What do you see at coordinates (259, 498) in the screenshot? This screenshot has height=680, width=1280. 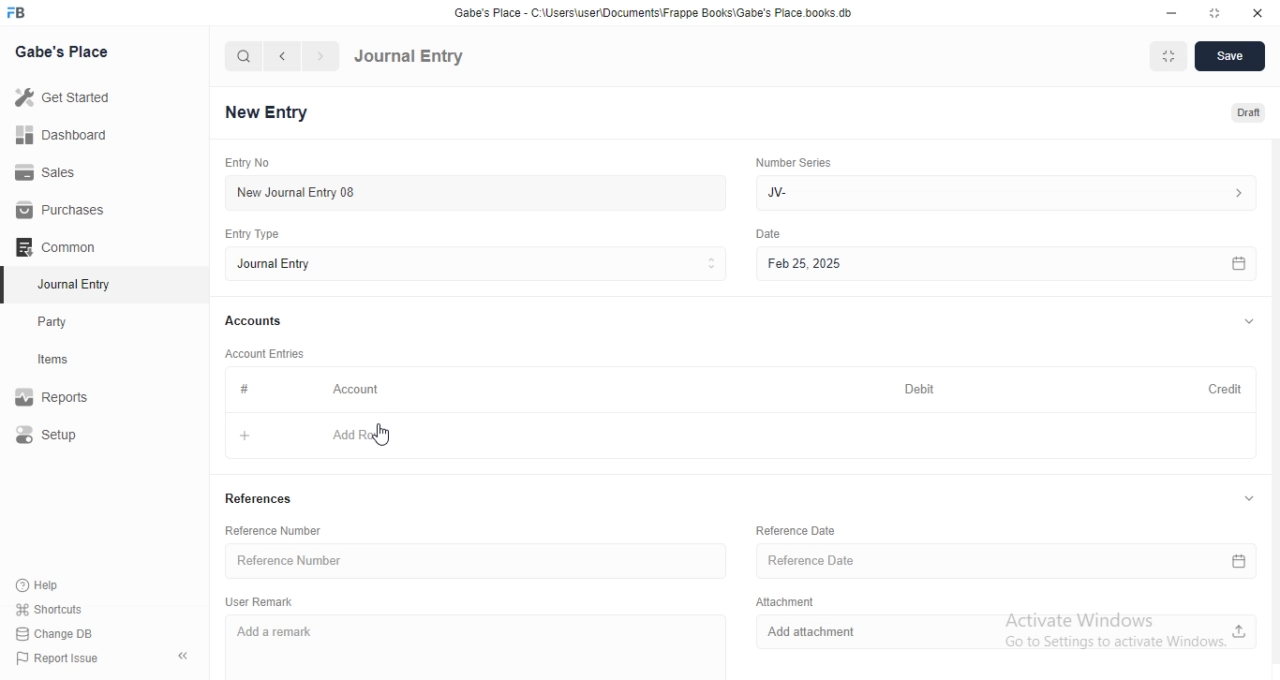 I see `References` at bounding box center [259, 498].